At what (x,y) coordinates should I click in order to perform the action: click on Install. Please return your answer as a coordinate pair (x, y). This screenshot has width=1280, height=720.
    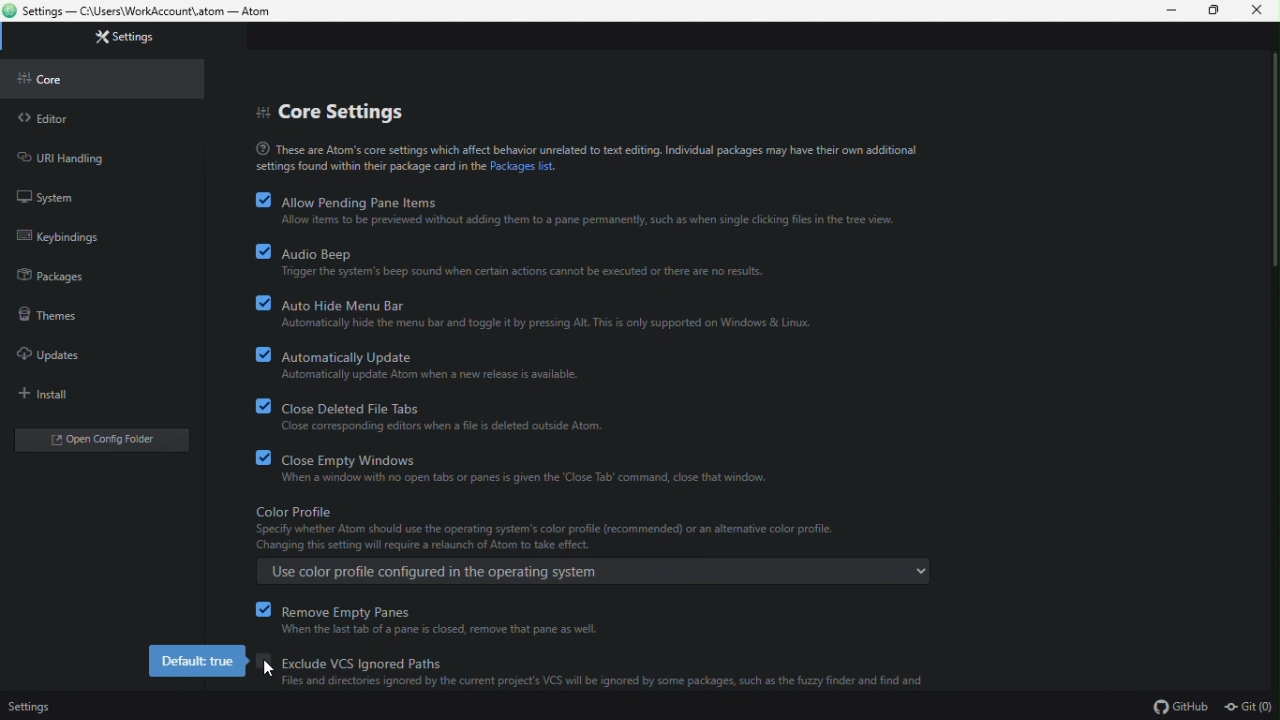
    Looking at the image, I should click on (93, 393).